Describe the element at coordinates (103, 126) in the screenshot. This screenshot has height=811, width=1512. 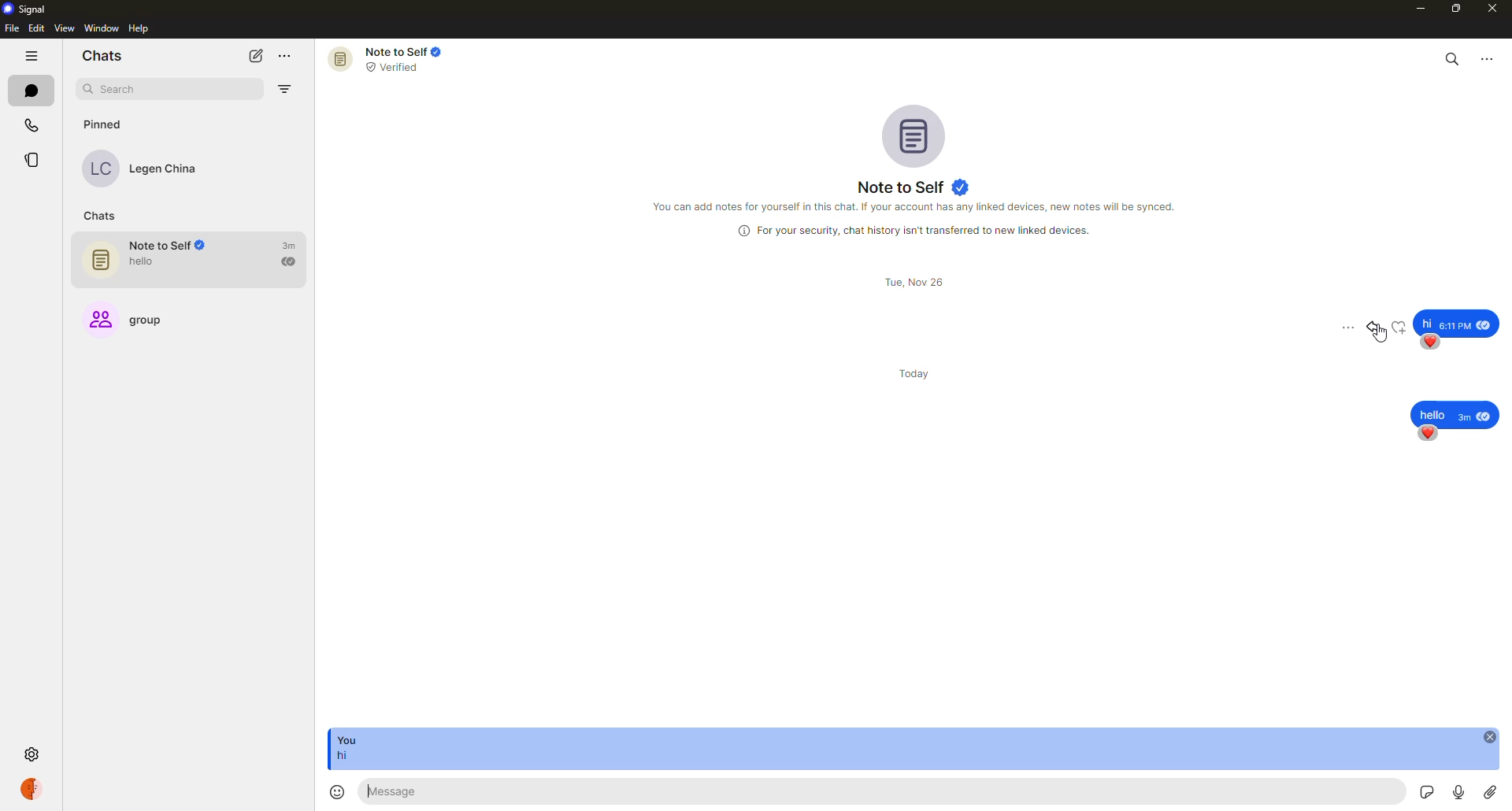
I see `pinned` at that location.